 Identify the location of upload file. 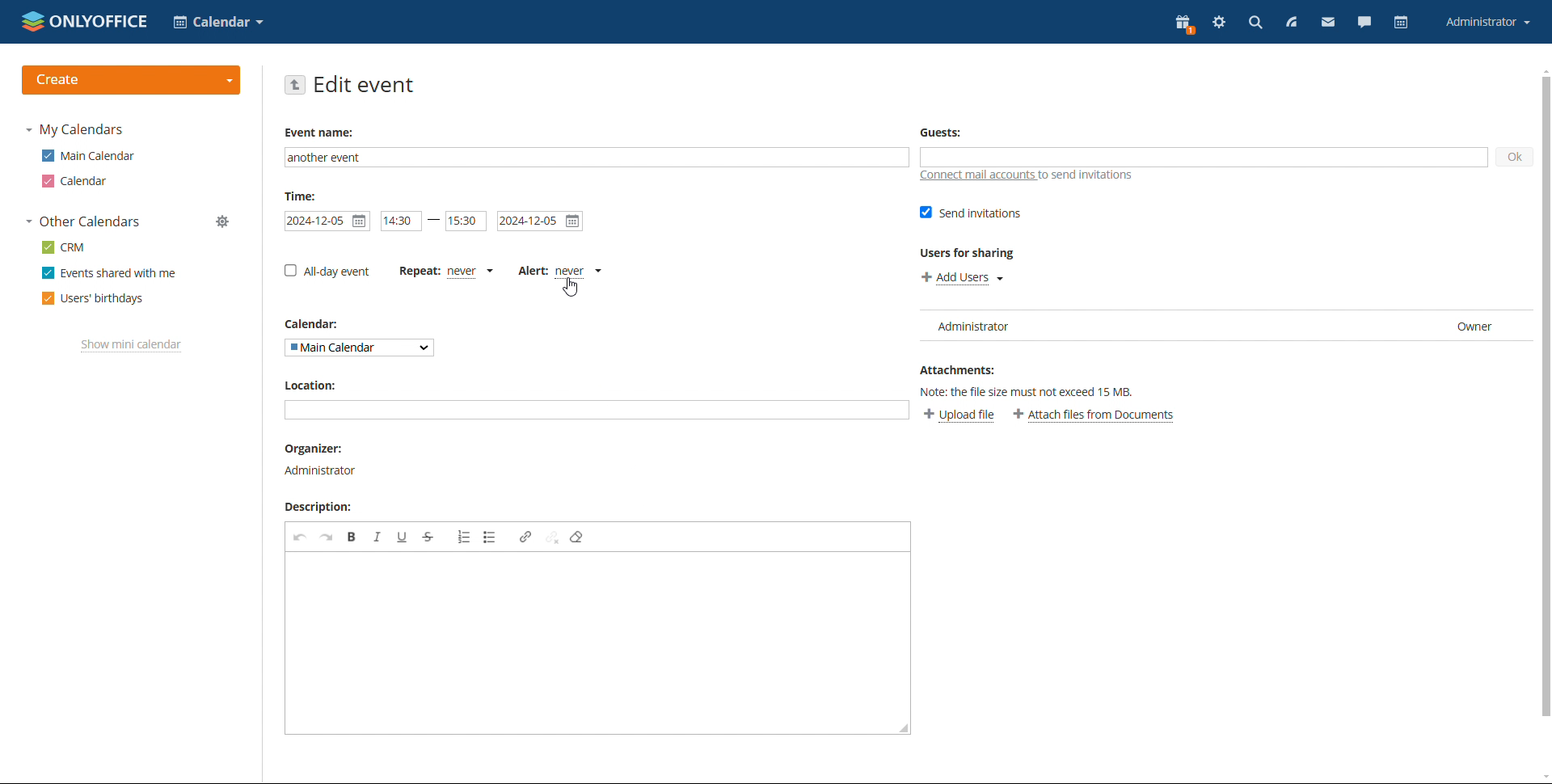
(959, 416).